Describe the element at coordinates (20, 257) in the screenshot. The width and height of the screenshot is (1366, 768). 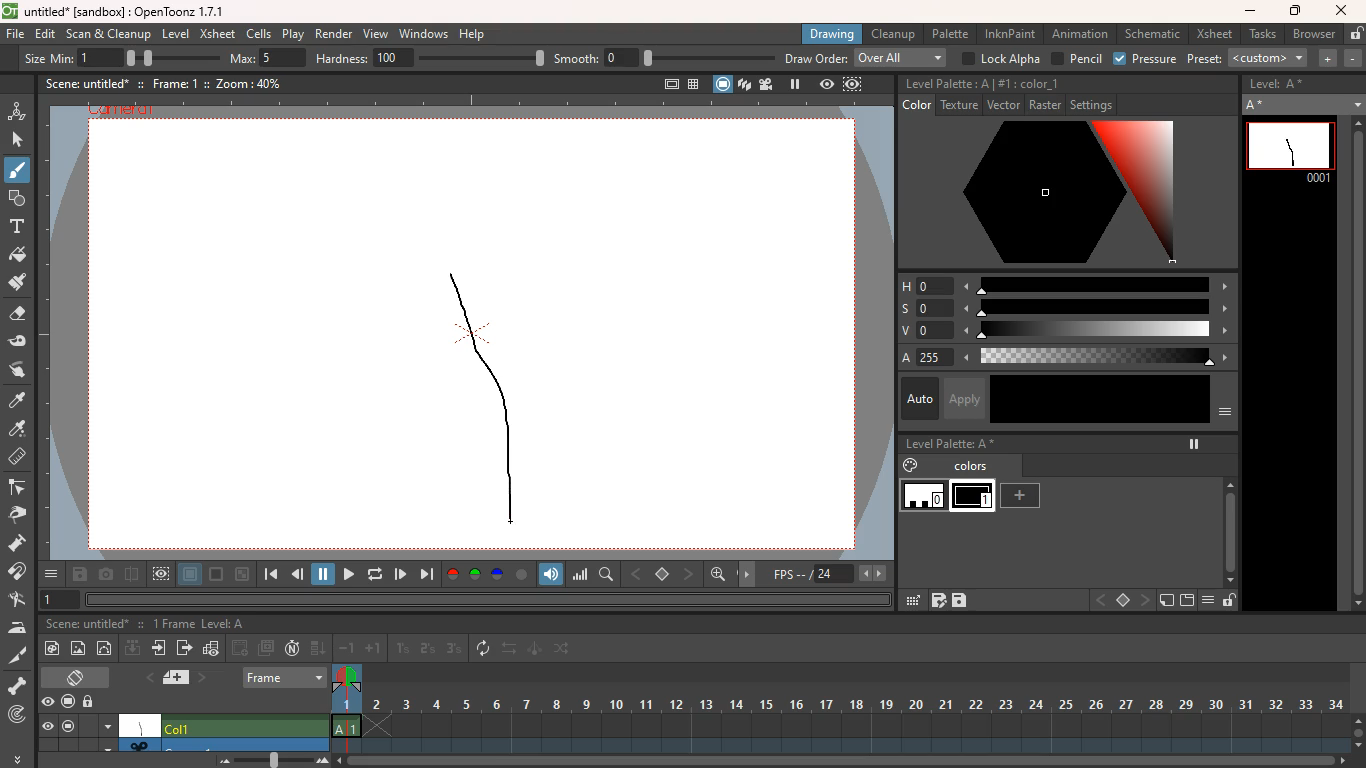
I see `paint` at that location.